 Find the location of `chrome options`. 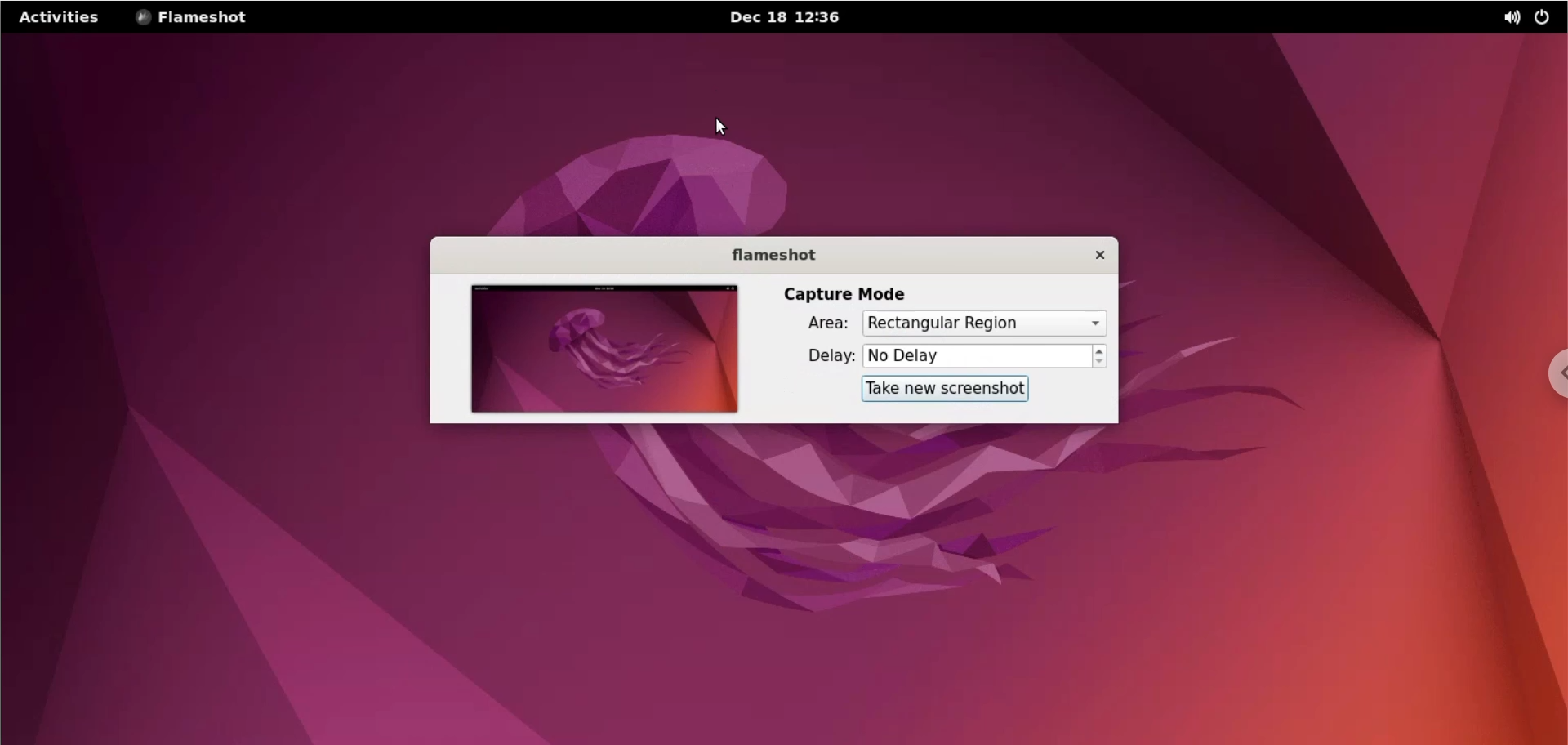

chrome options is located at coordinates (1543, 368).